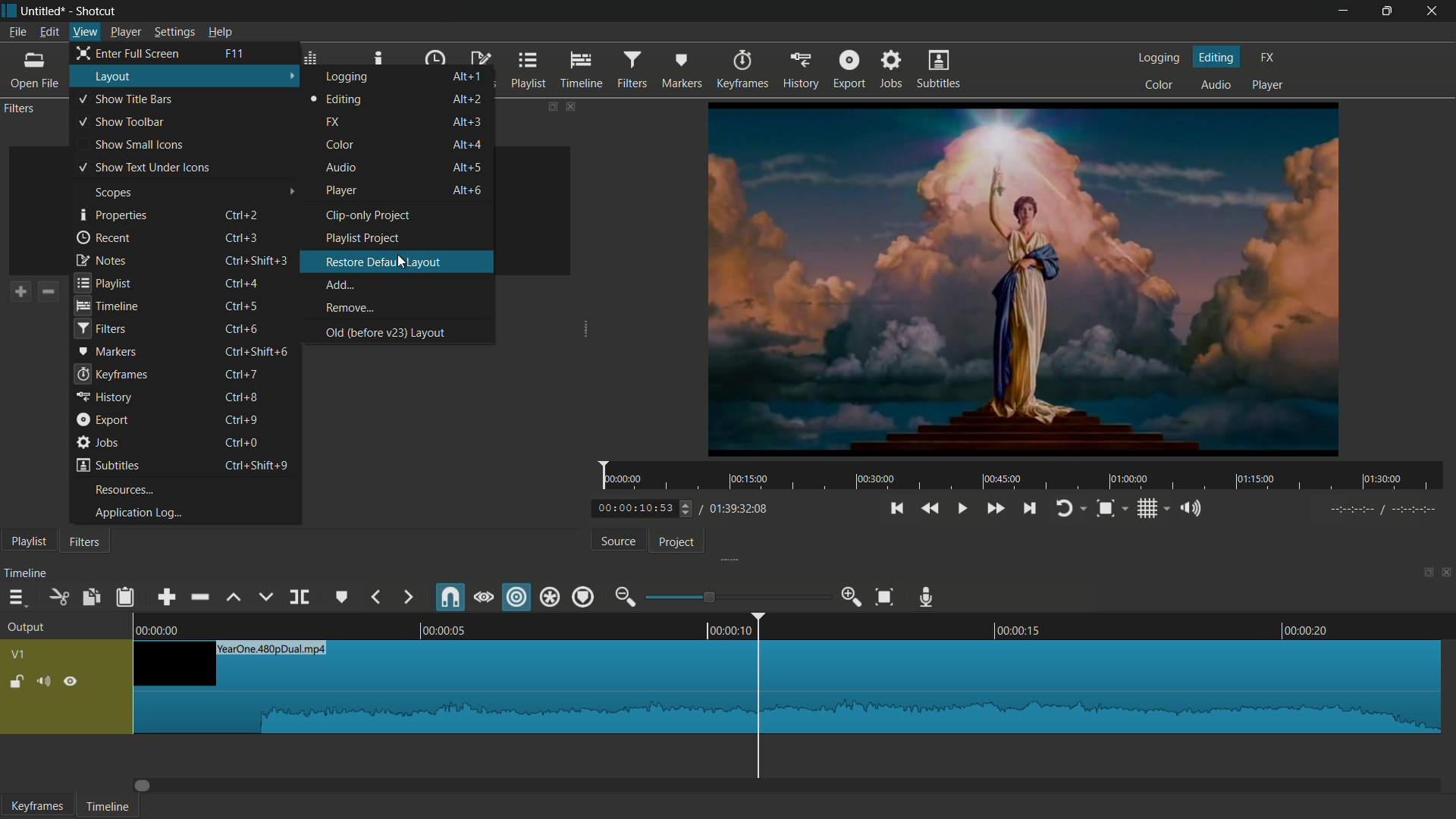  I want to click on properties, so click(113, 215).